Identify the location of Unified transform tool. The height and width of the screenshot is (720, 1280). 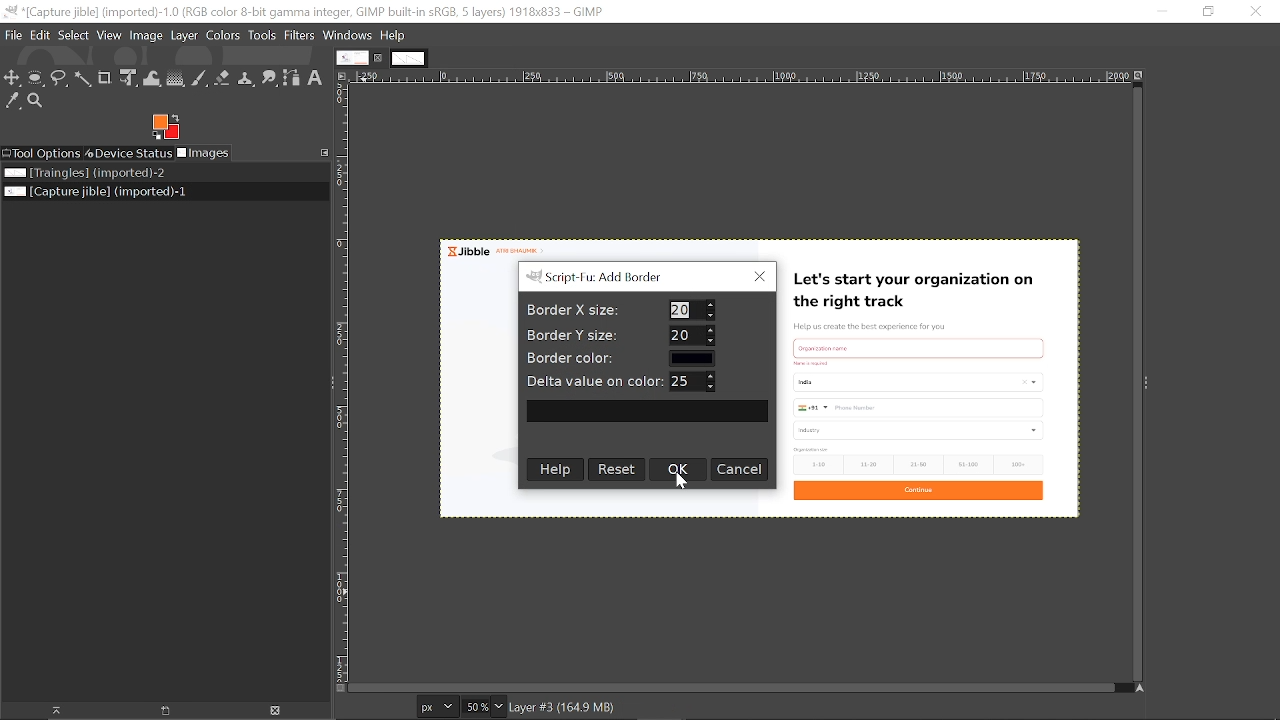
(128, 79).